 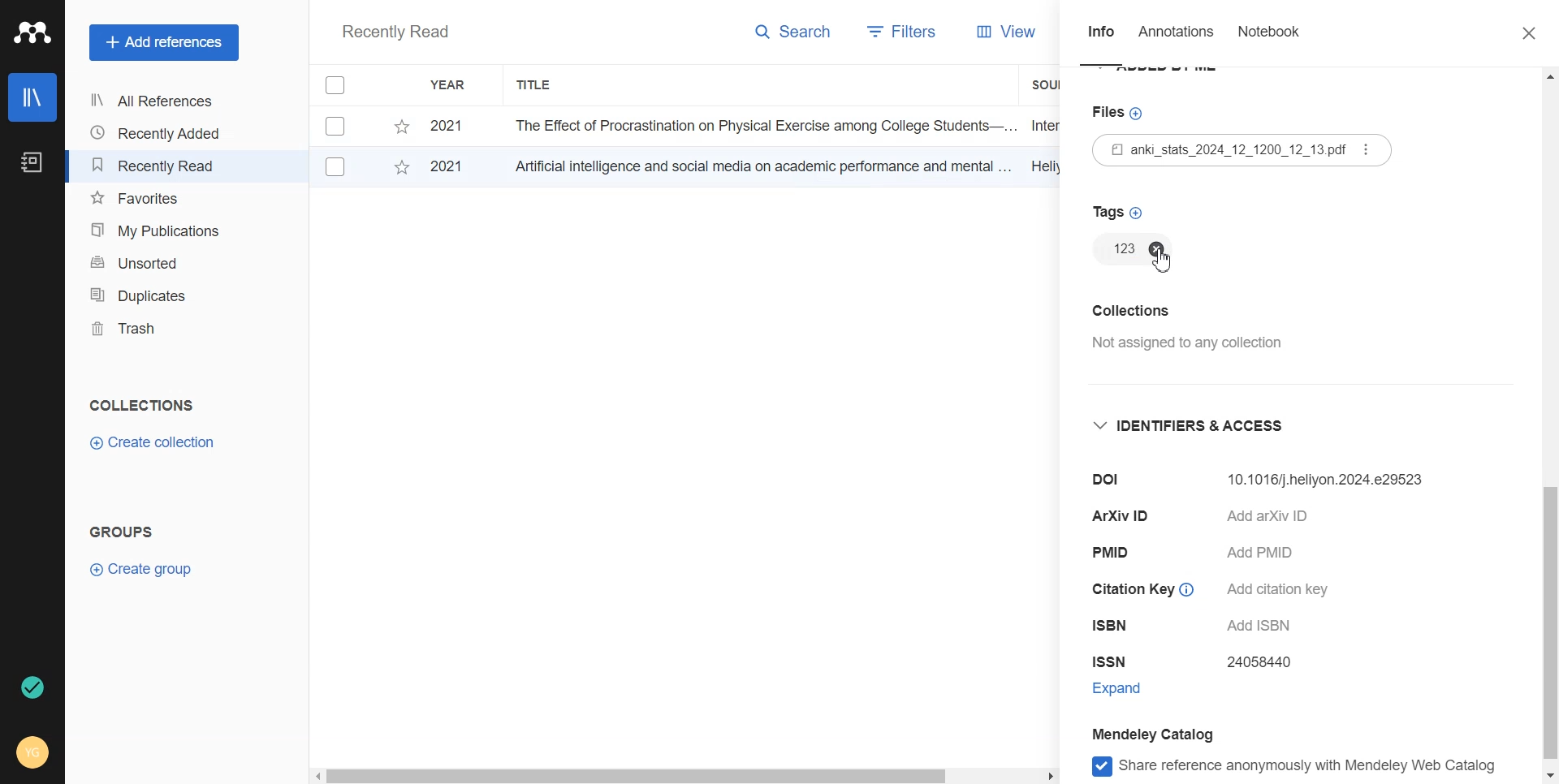 I want to click on Starred, so click(x=401, y=170).